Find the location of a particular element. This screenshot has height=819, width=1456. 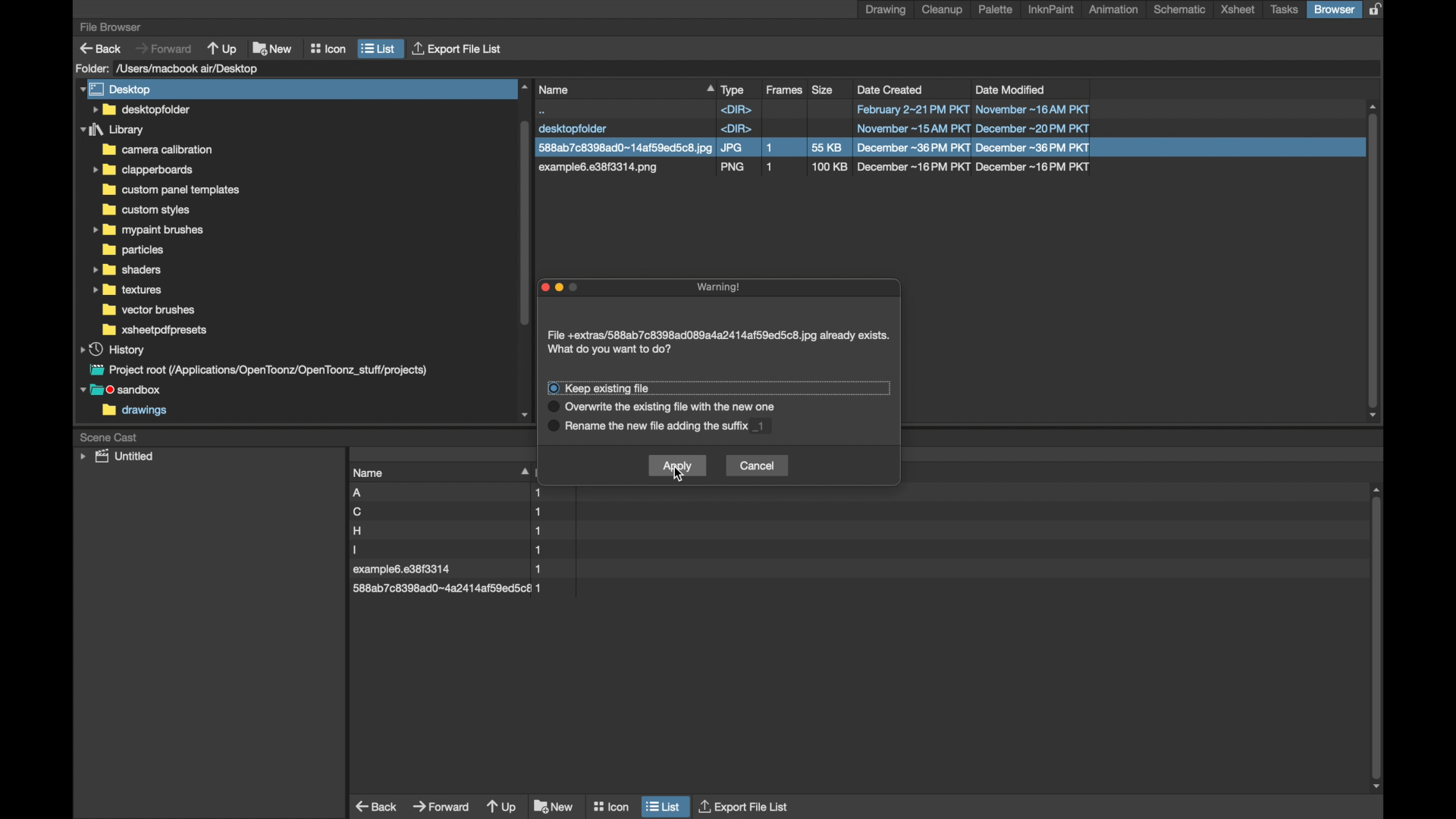

folder is located at coordinates (174, 190).